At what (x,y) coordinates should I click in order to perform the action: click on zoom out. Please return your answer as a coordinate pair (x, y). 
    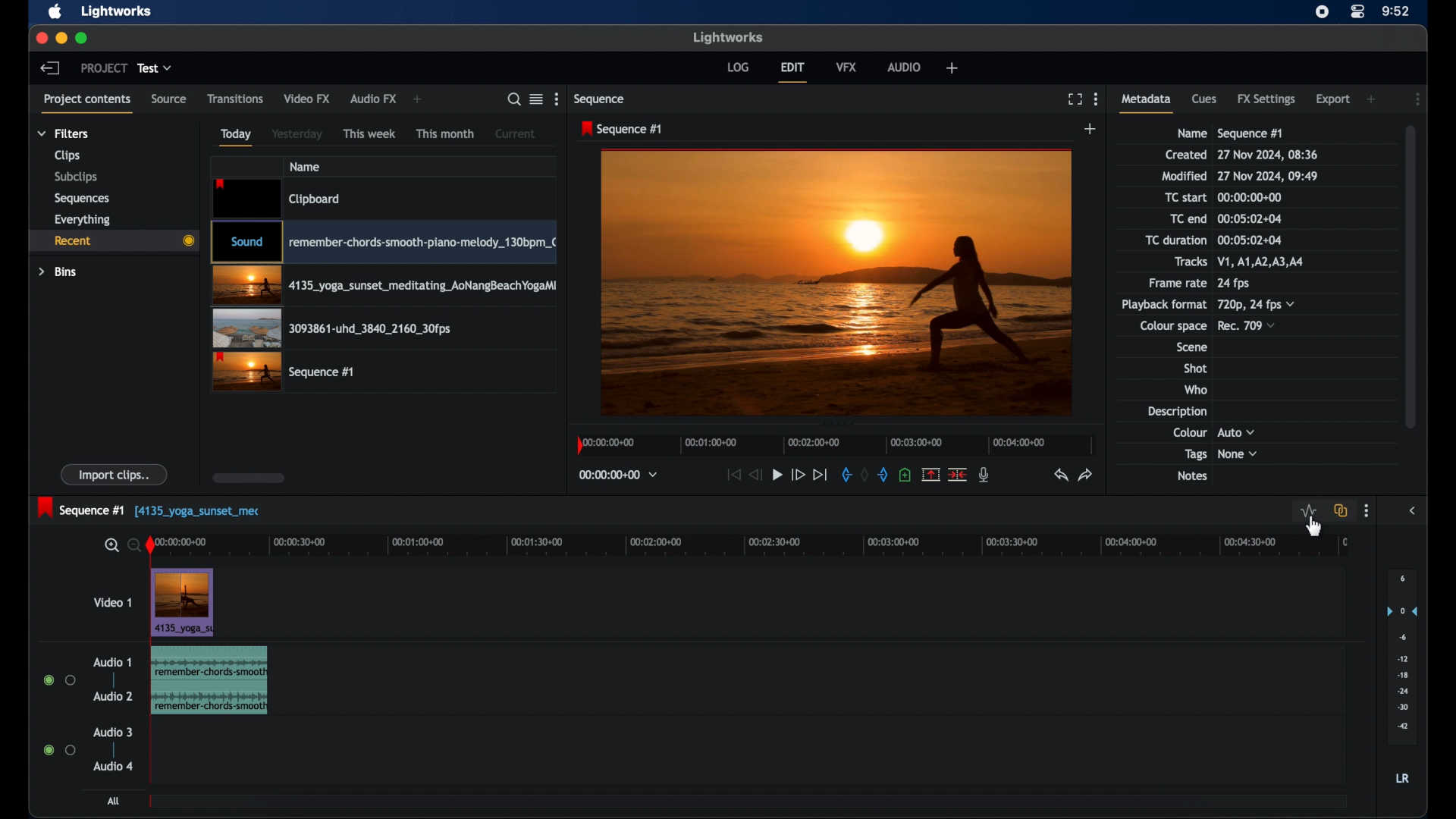
    Looking at the image, I should click on (130, 544).